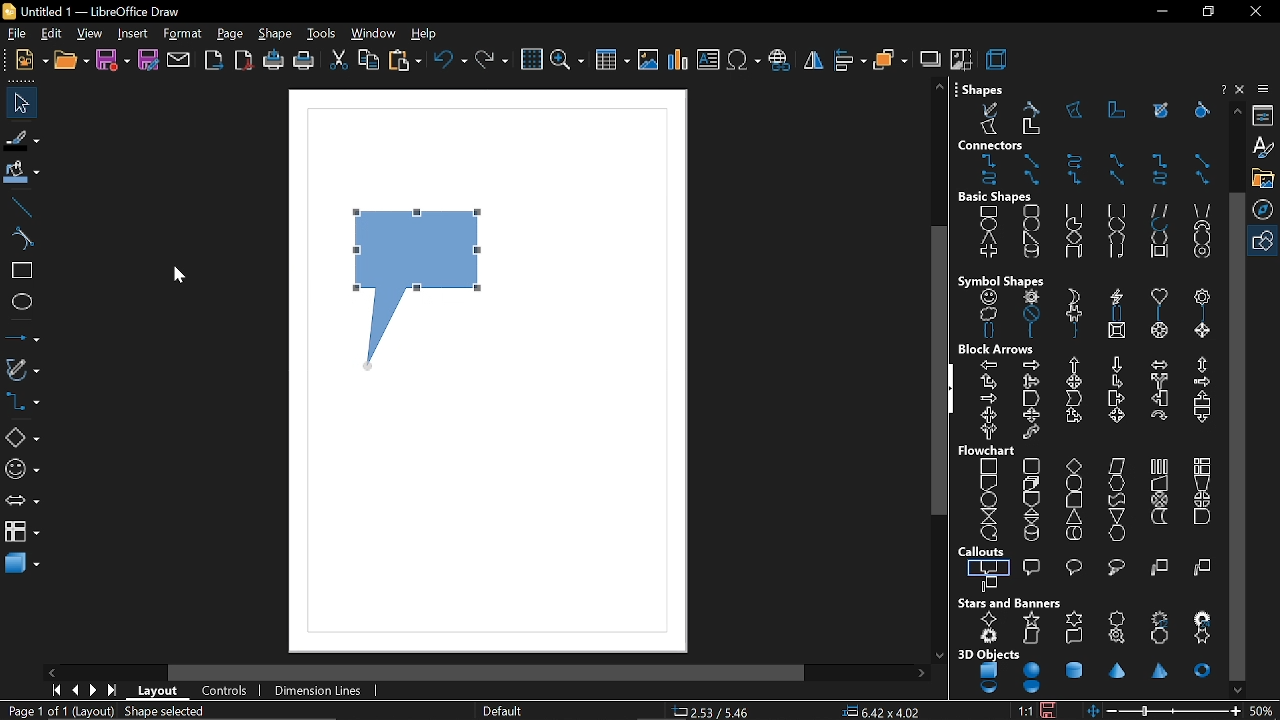 This screenshot has width=1280, height=720. I want to click on polygon 45 filled, so click(1030, 129).